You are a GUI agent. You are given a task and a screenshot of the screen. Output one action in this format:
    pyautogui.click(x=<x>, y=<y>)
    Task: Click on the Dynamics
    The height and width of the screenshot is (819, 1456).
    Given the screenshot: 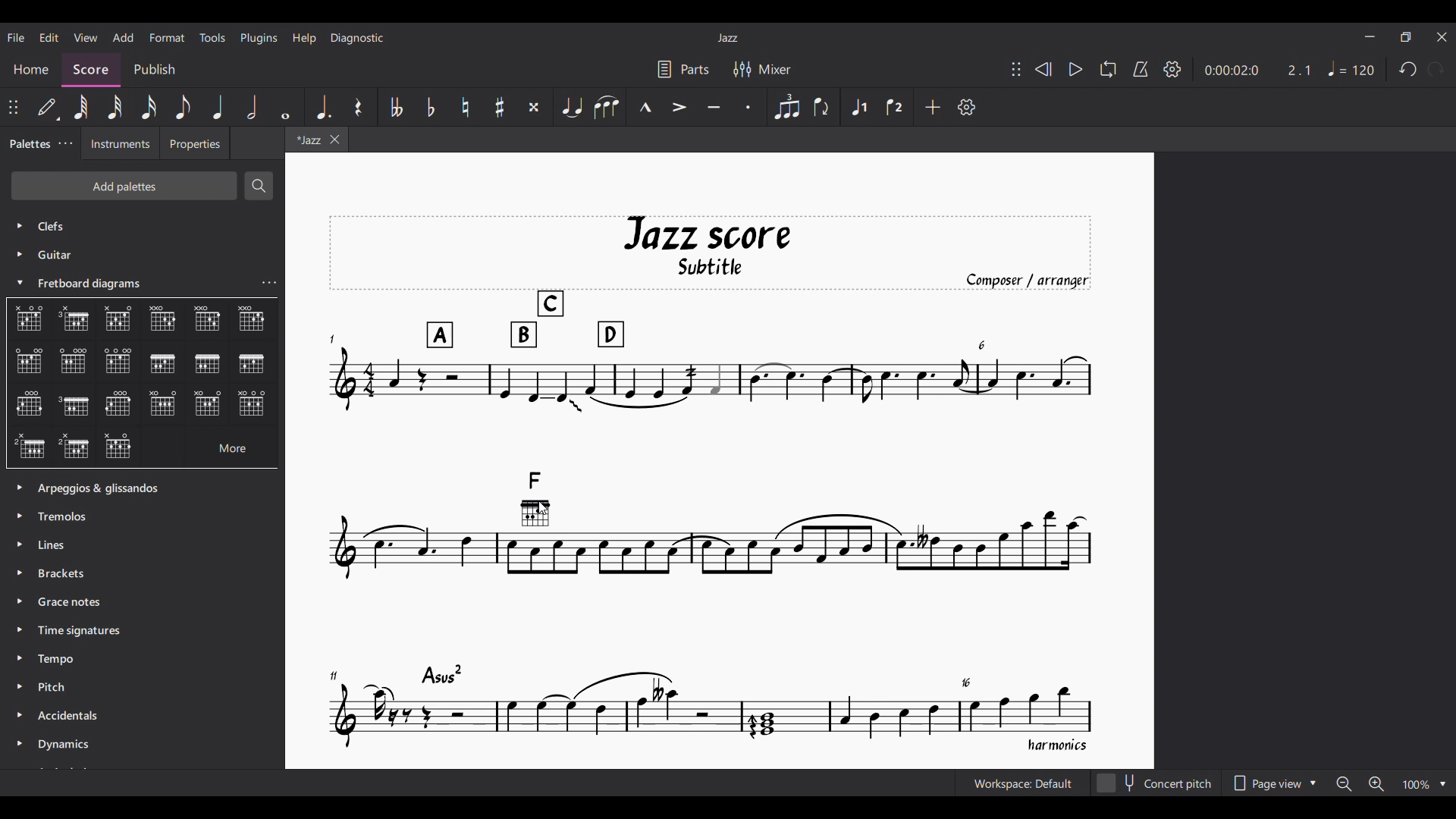 What is the action you would take?
    pyautogui.click(x=86, y=745)
    